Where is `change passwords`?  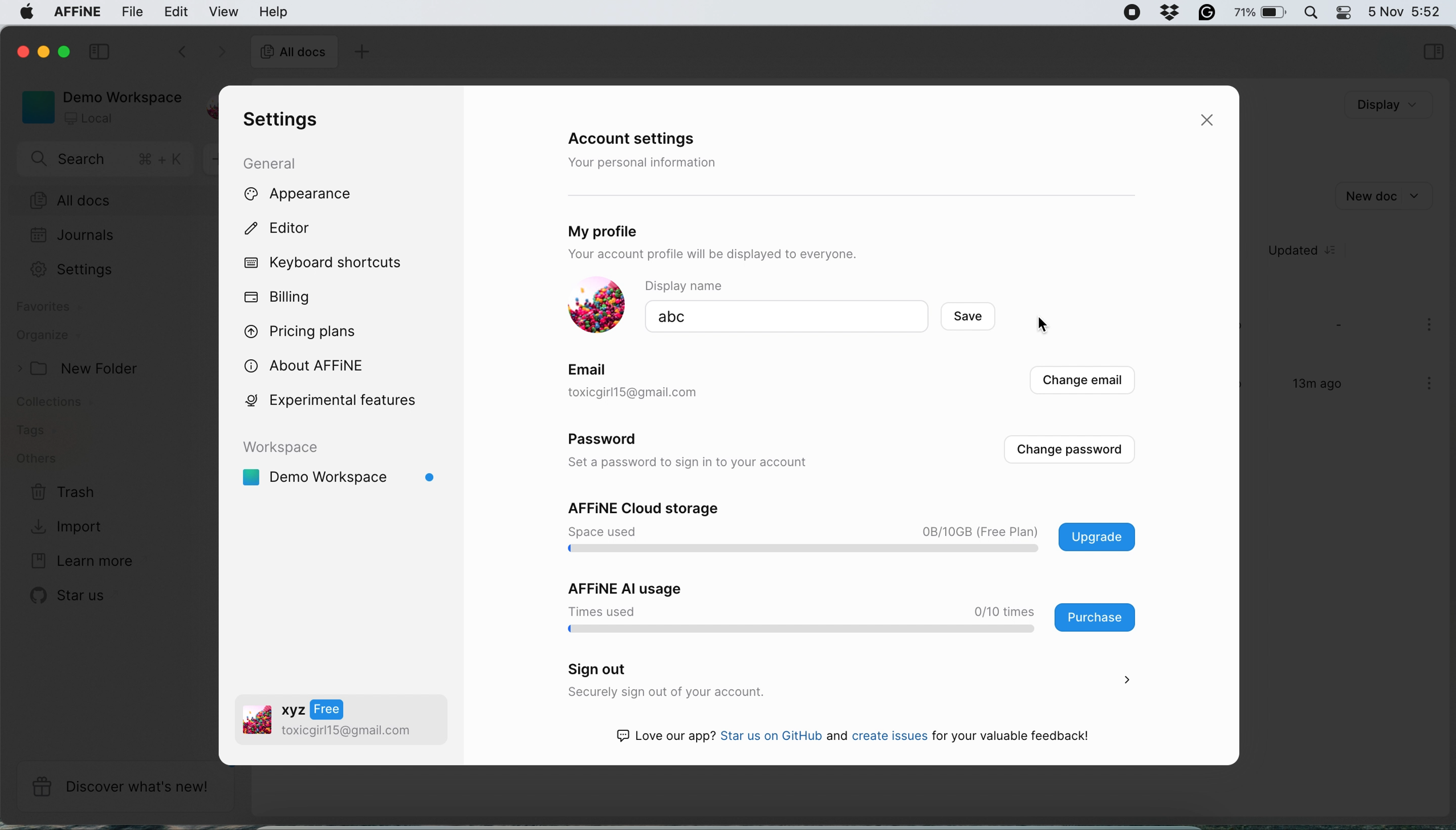
change passwords is located at coordinates (1069, 450).